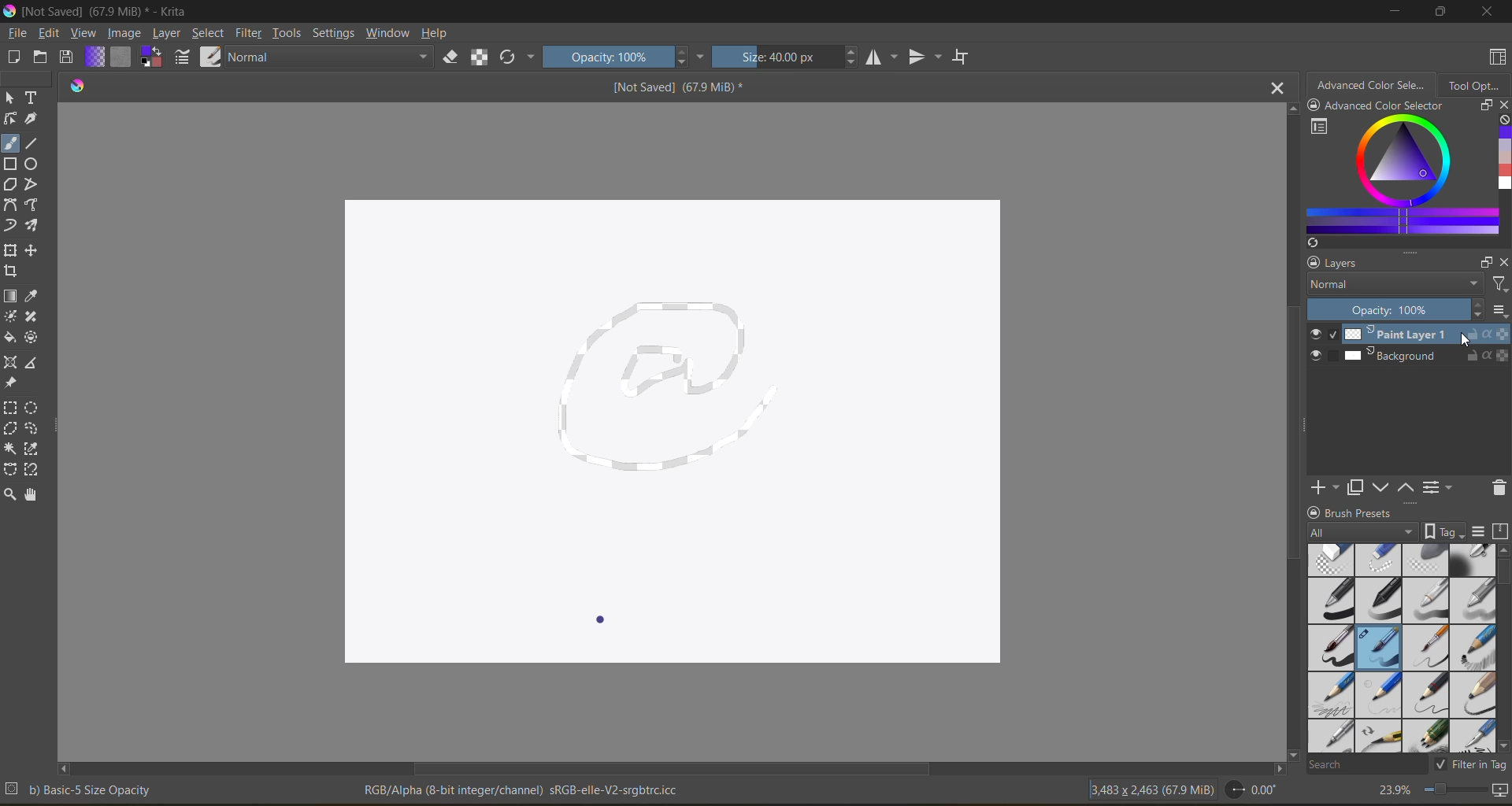 This screenshot has width=1512, height=806. I want to click on wrap around mode, so click(963, 58).